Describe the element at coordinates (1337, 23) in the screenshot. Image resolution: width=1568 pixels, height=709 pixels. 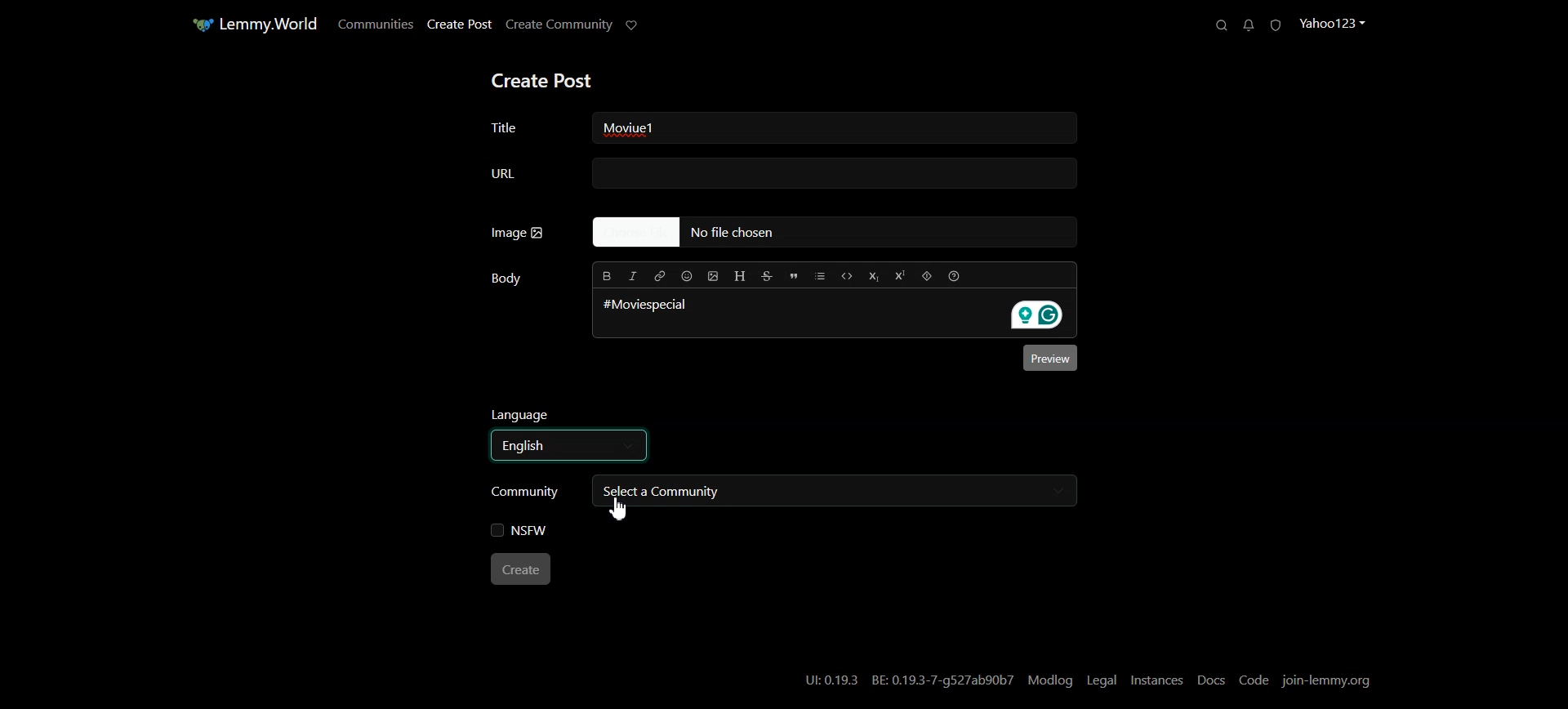
I see `Profile` at that location.